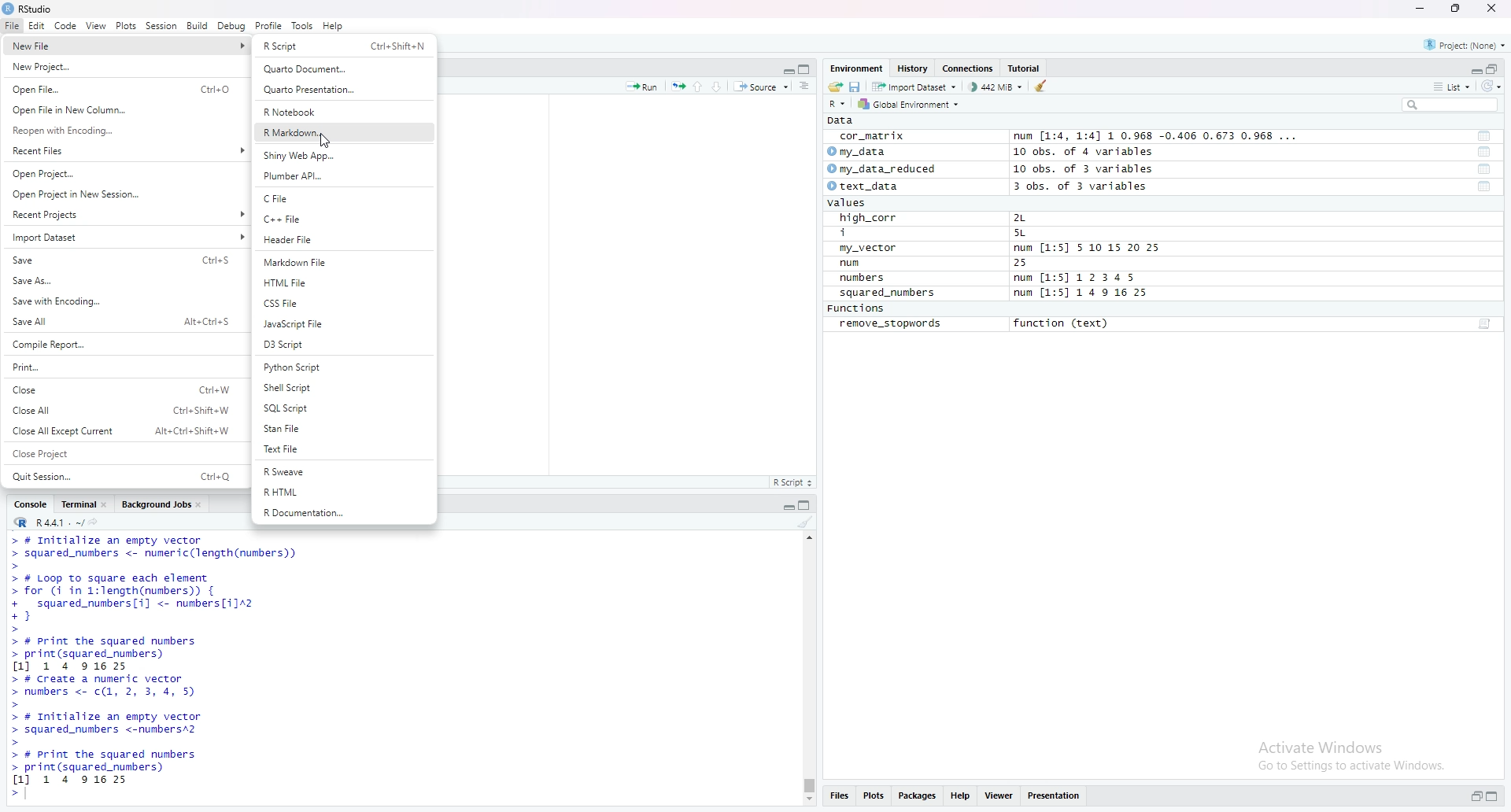  What do you see at coordinates (160, 27) in the screenshot?
I see `Session` at bounding box center [160, 27].